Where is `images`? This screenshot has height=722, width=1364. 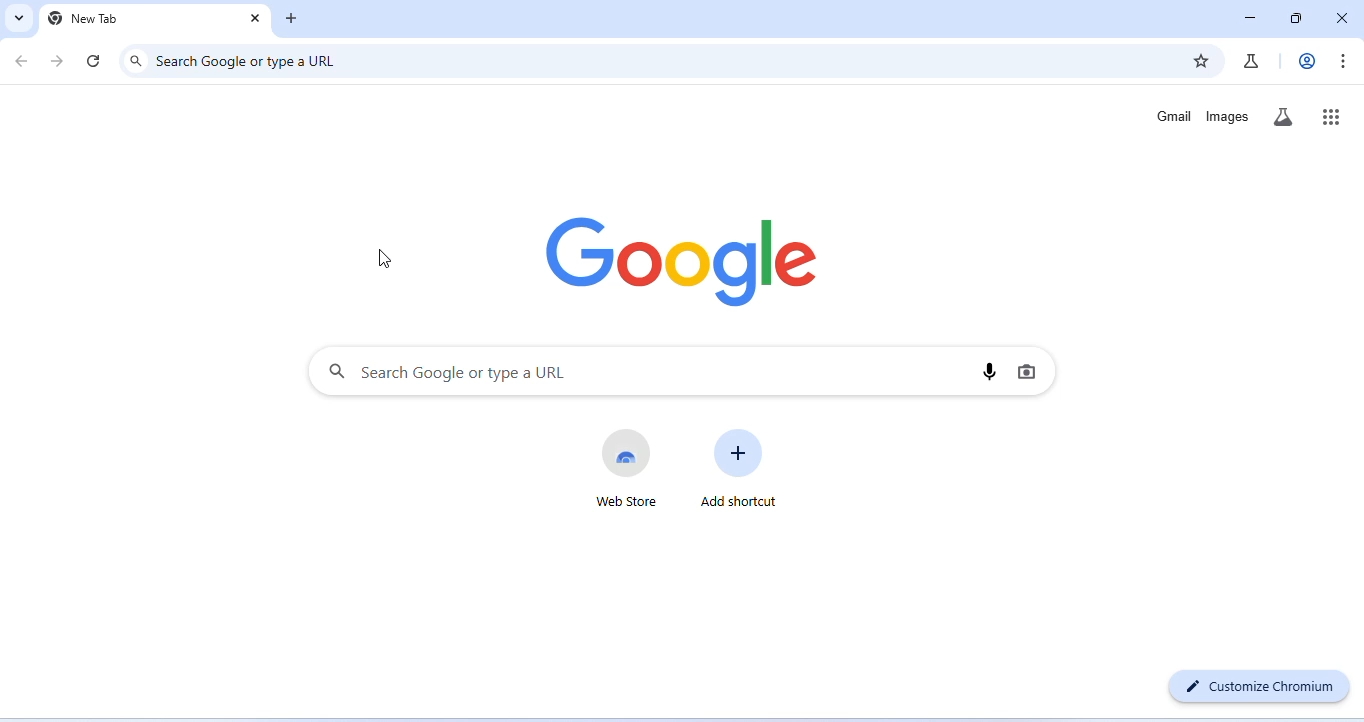
images is located at coordinates (1229, 117).